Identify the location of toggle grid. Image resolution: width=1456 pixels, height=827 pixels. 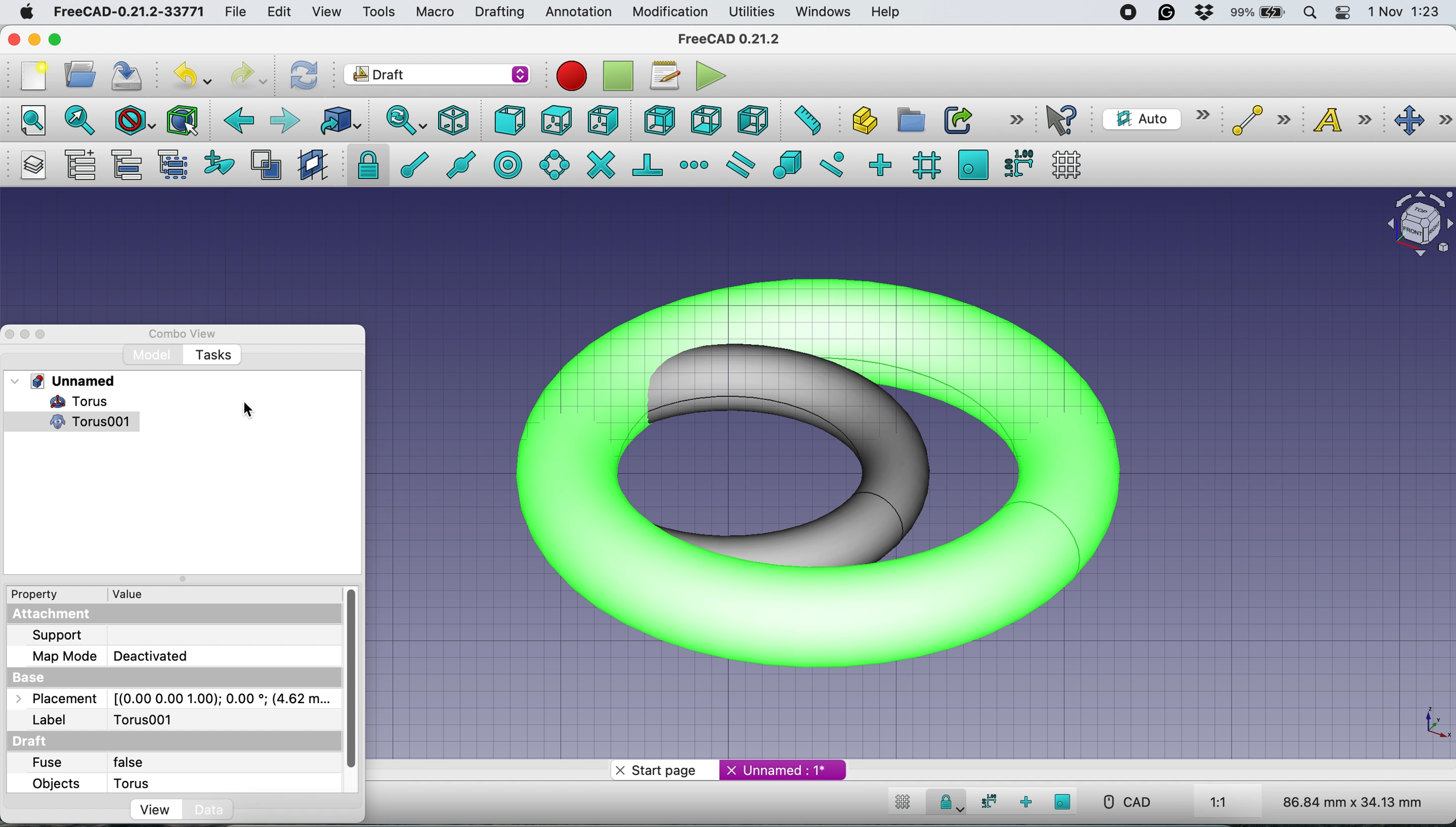
(1071, 164).